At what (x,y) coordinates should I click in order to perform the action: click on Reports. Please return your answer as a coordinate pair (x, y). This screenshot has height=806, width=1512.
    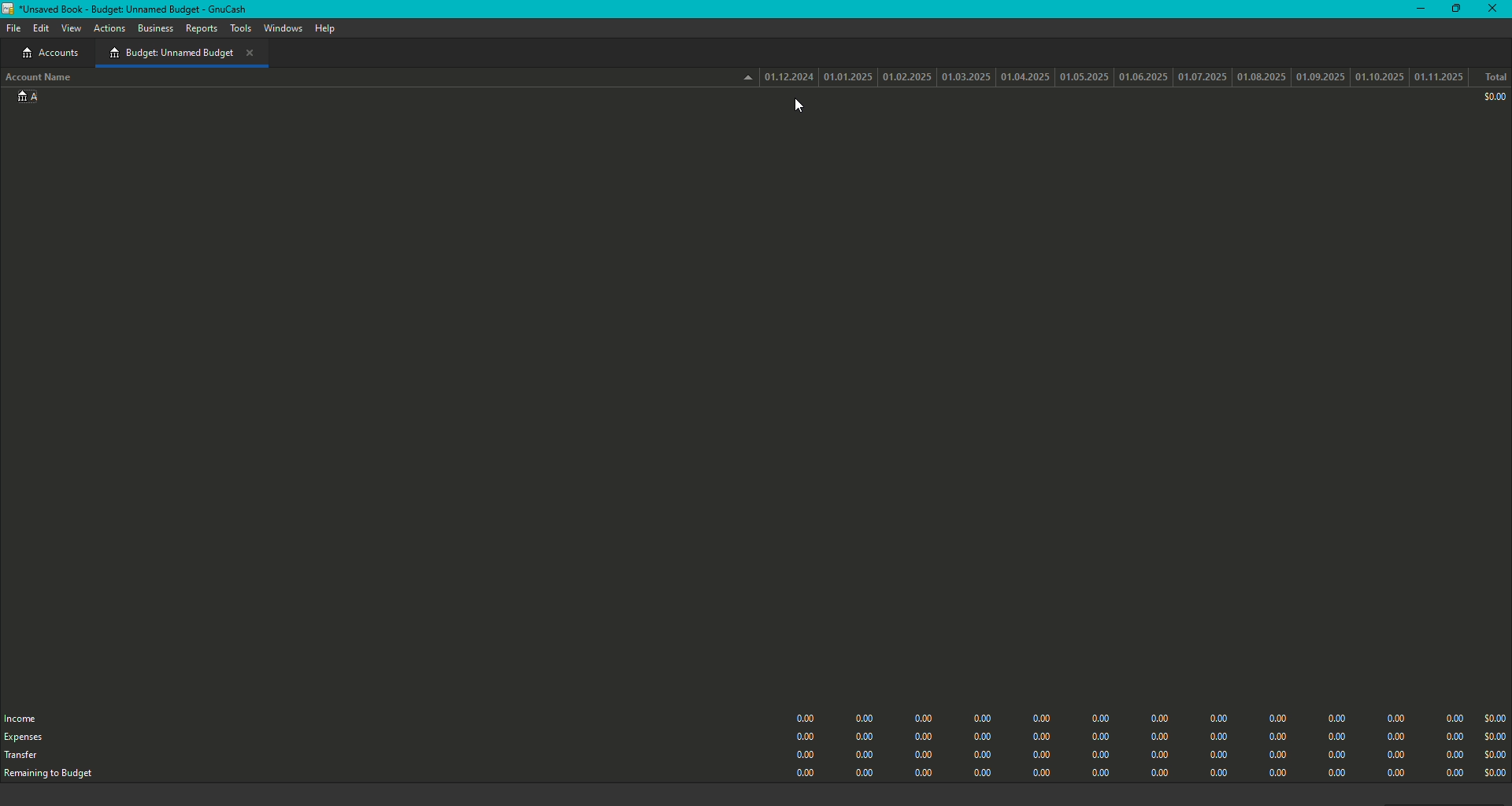
    Looking at the image, I should click on (201, 31).